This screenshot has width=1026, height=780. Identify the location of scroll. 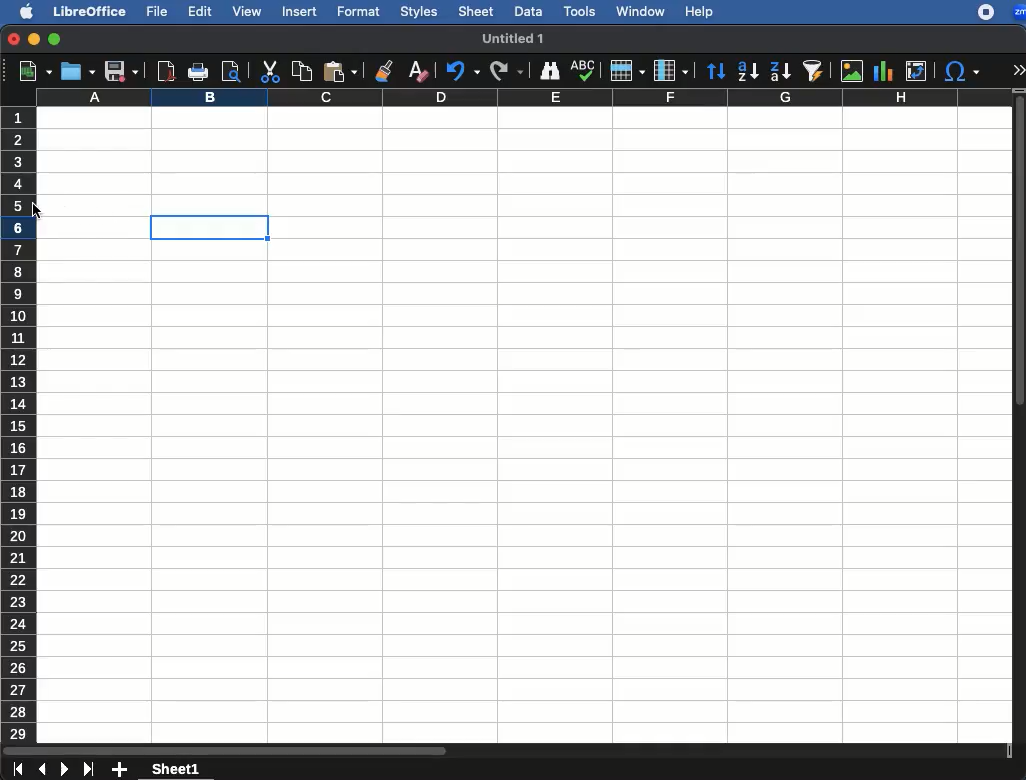
(1020, 417).